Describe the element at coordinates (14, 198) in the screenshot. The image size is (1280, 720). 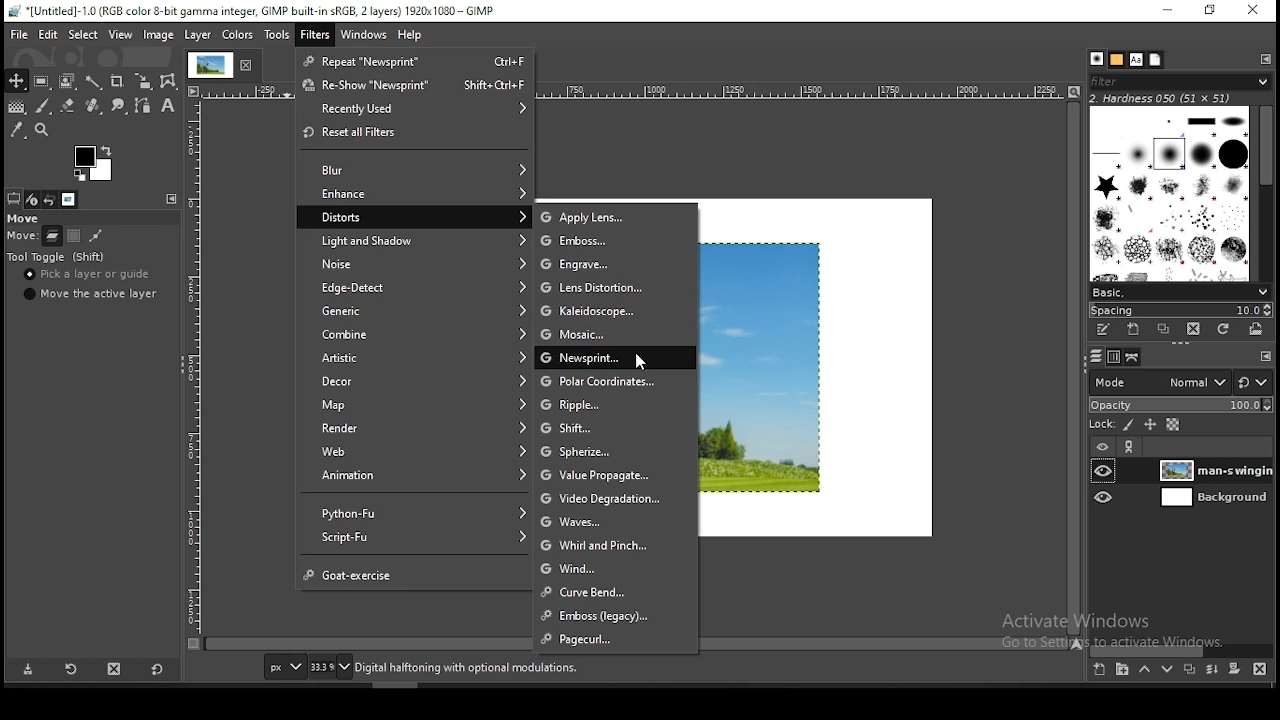
I see `tool options` at that location.